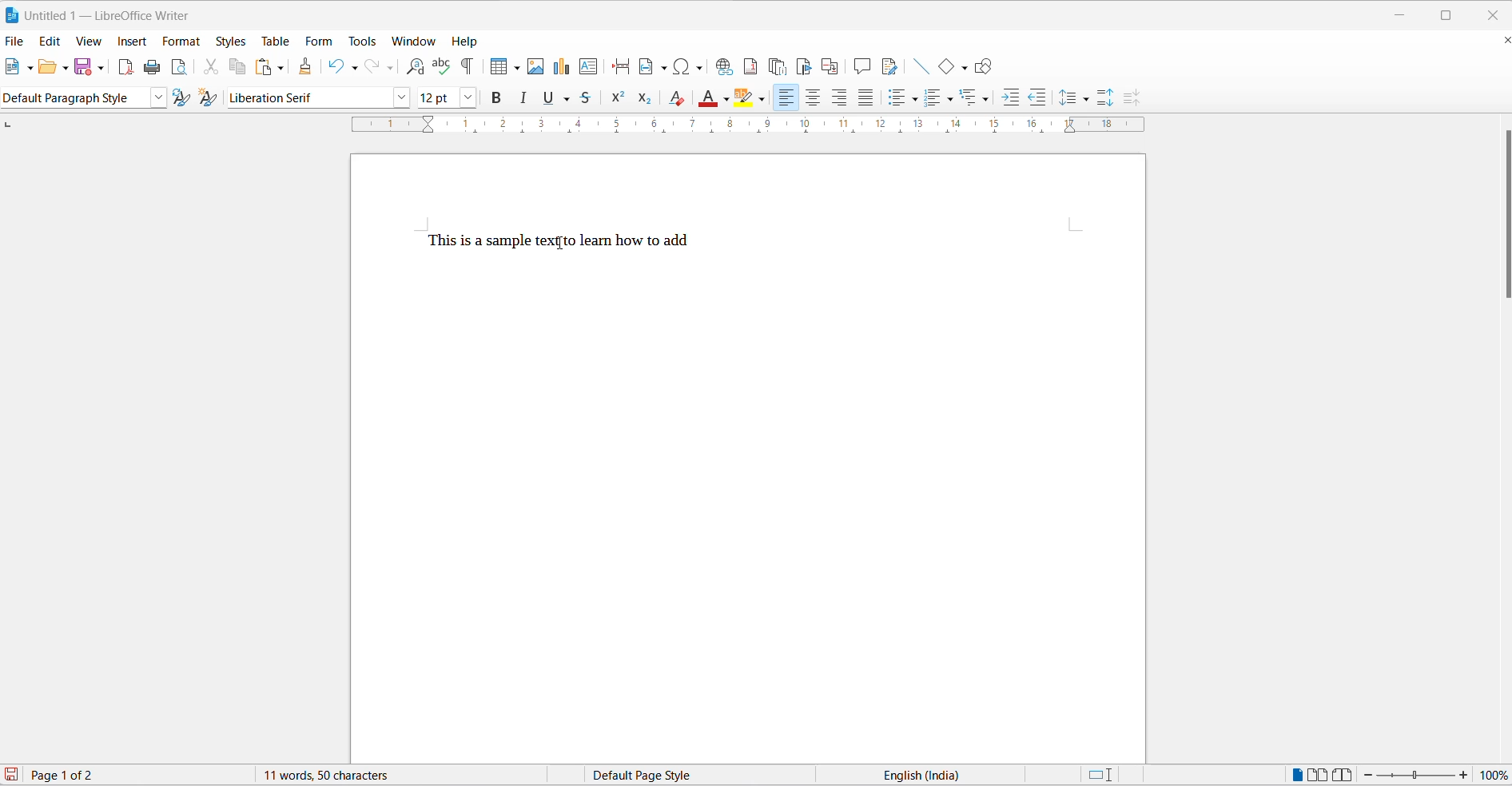  I want to click on superscript, so click(618, 99).